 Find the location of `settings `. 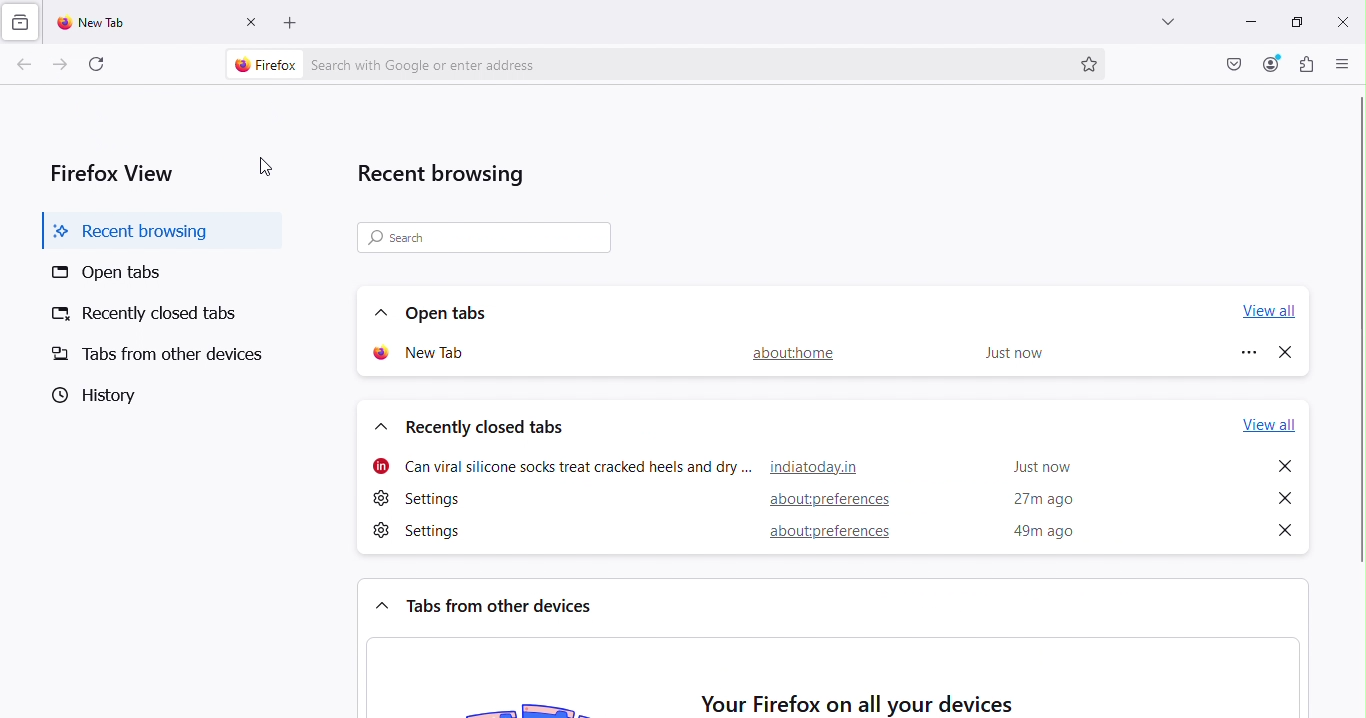

settings  is located at coordinates (413, 534).